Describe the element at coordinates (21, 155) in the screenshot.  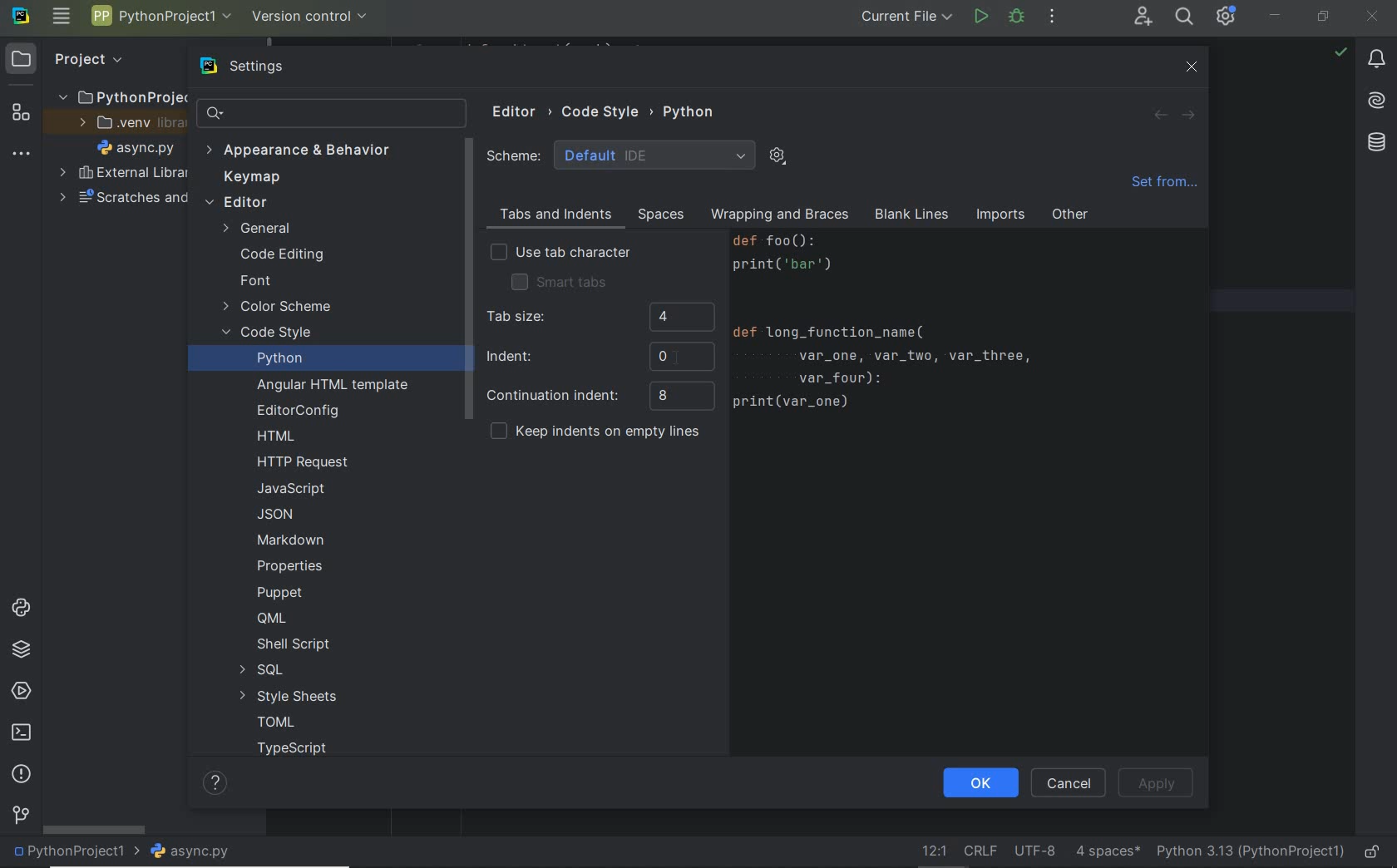
I see `more tool windows` at that location.